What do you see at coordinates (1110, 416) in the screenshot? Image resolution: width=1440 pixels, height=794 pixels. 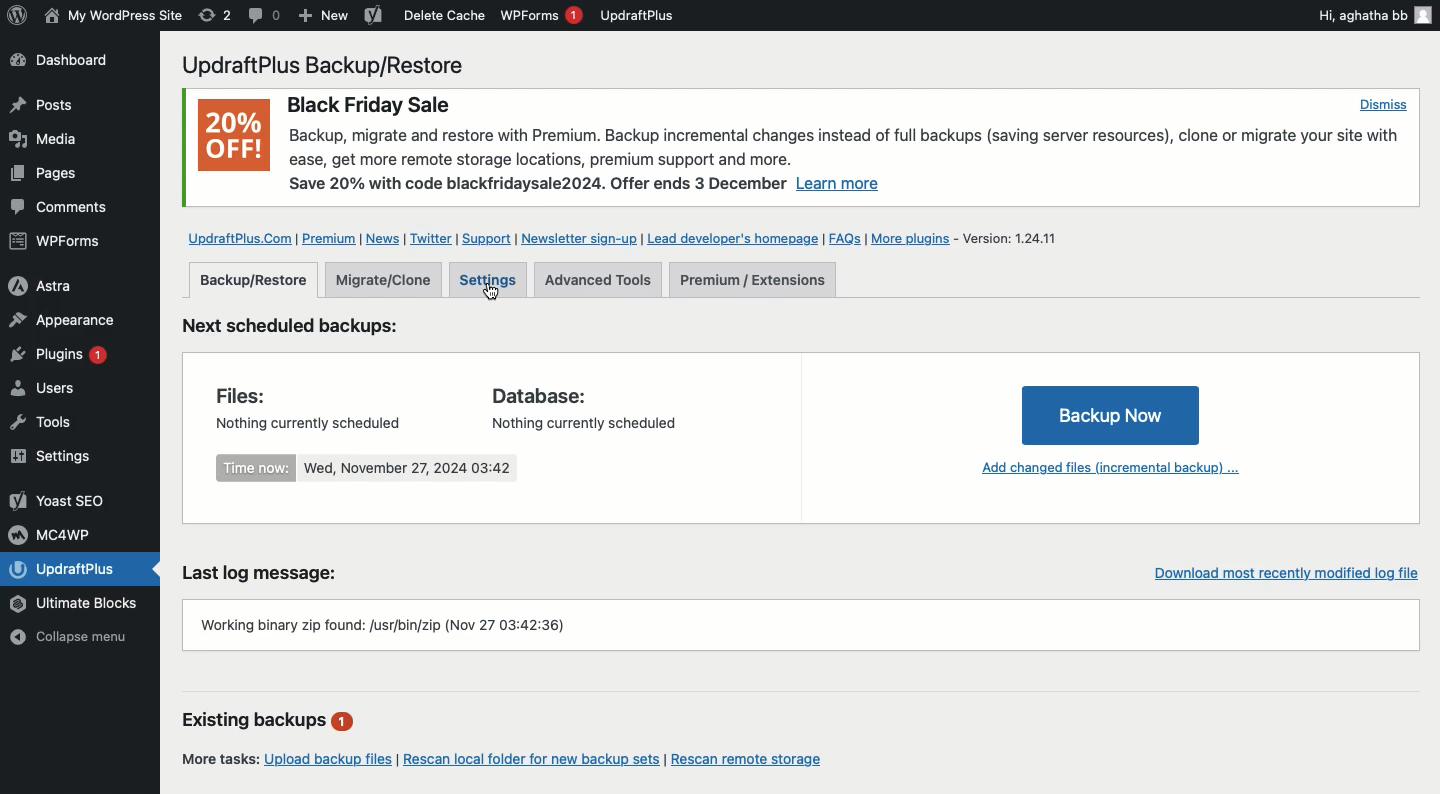 I see `Backup Now` at bounding box center [1110, 416].